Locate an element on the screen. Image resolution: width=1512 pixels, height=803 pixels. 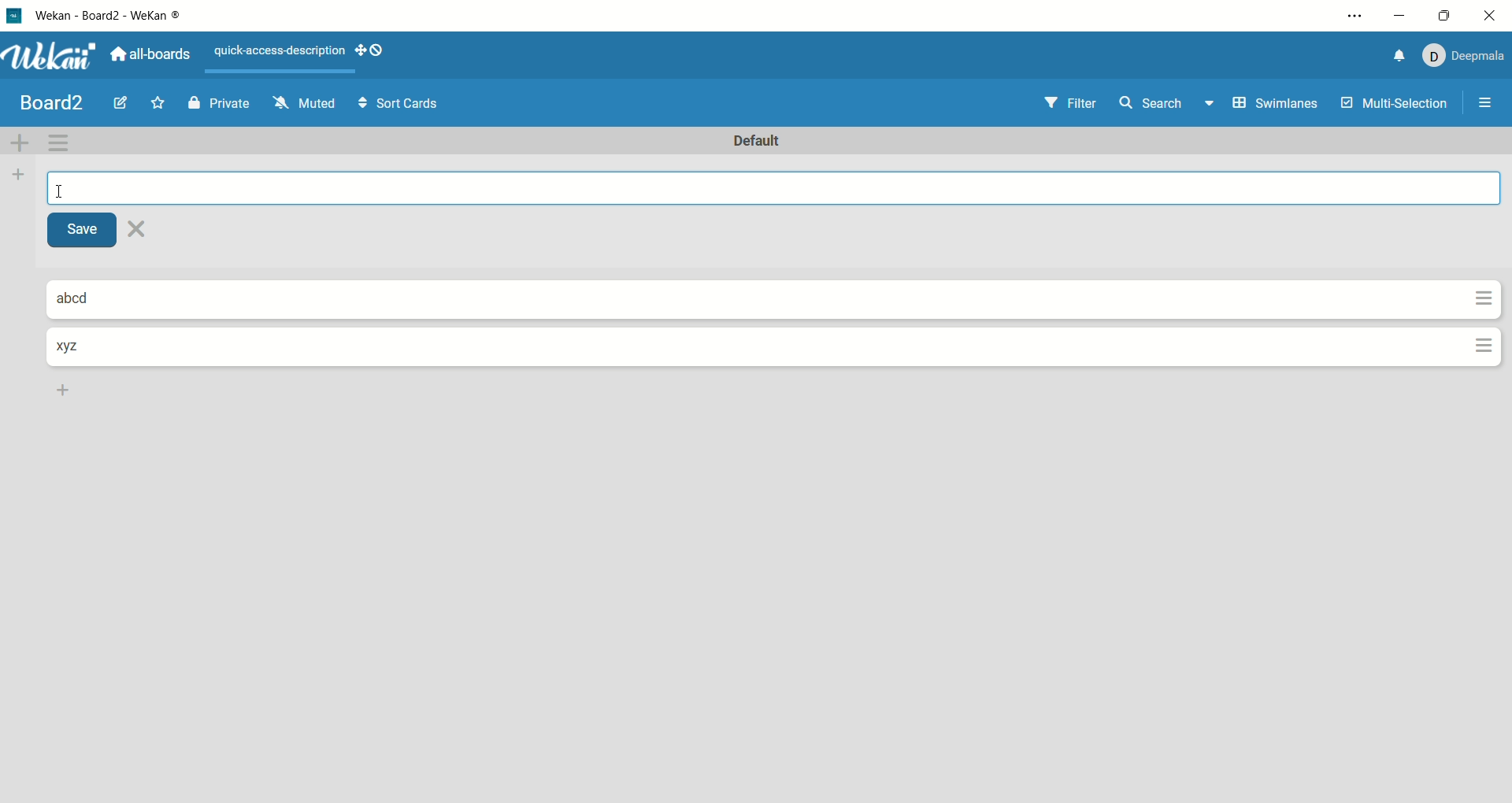
list title is located at coordinates (76, 346).